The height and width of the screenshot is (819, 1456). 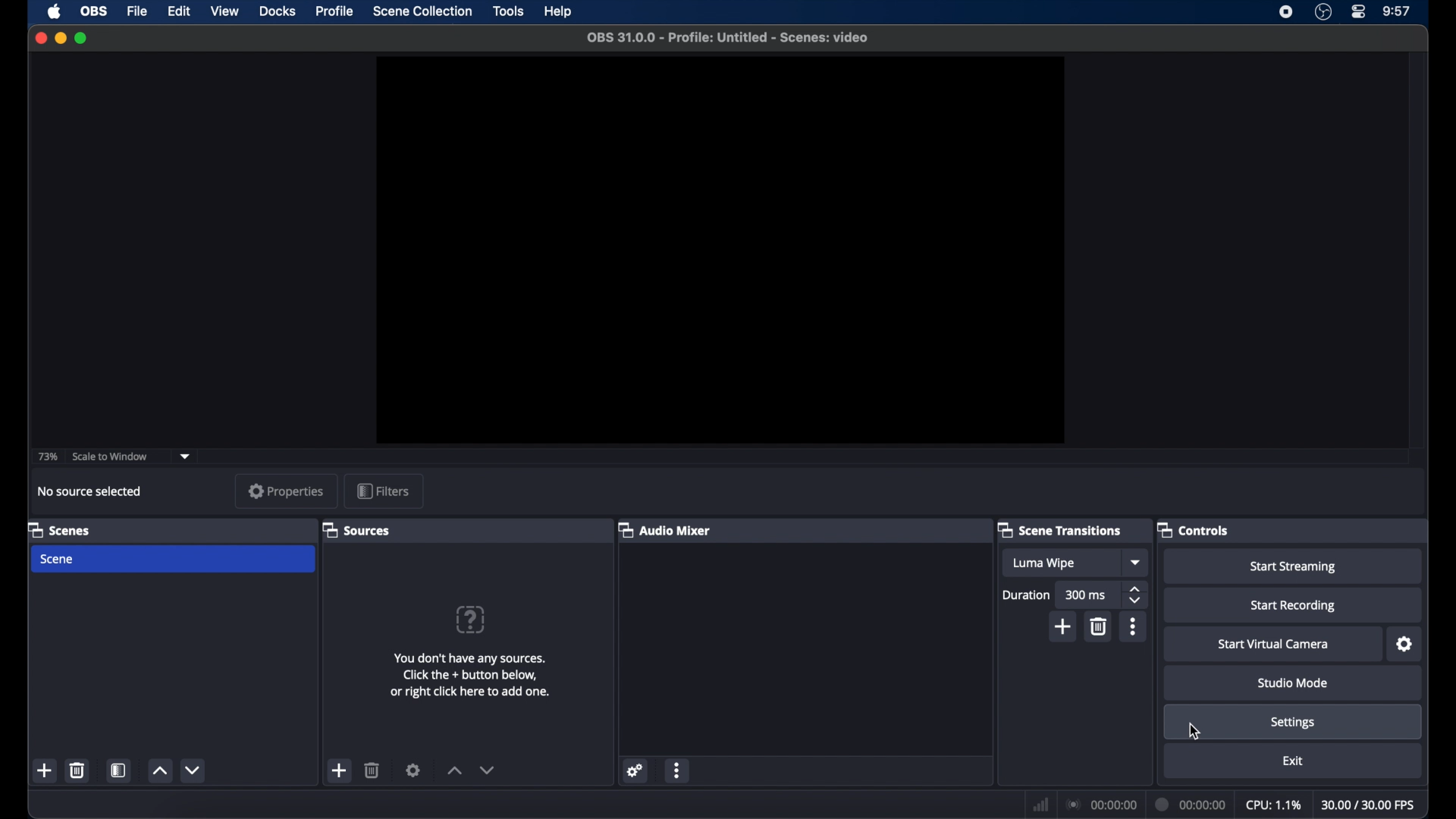 I want to click on fps, so click(x=1369, y=805).